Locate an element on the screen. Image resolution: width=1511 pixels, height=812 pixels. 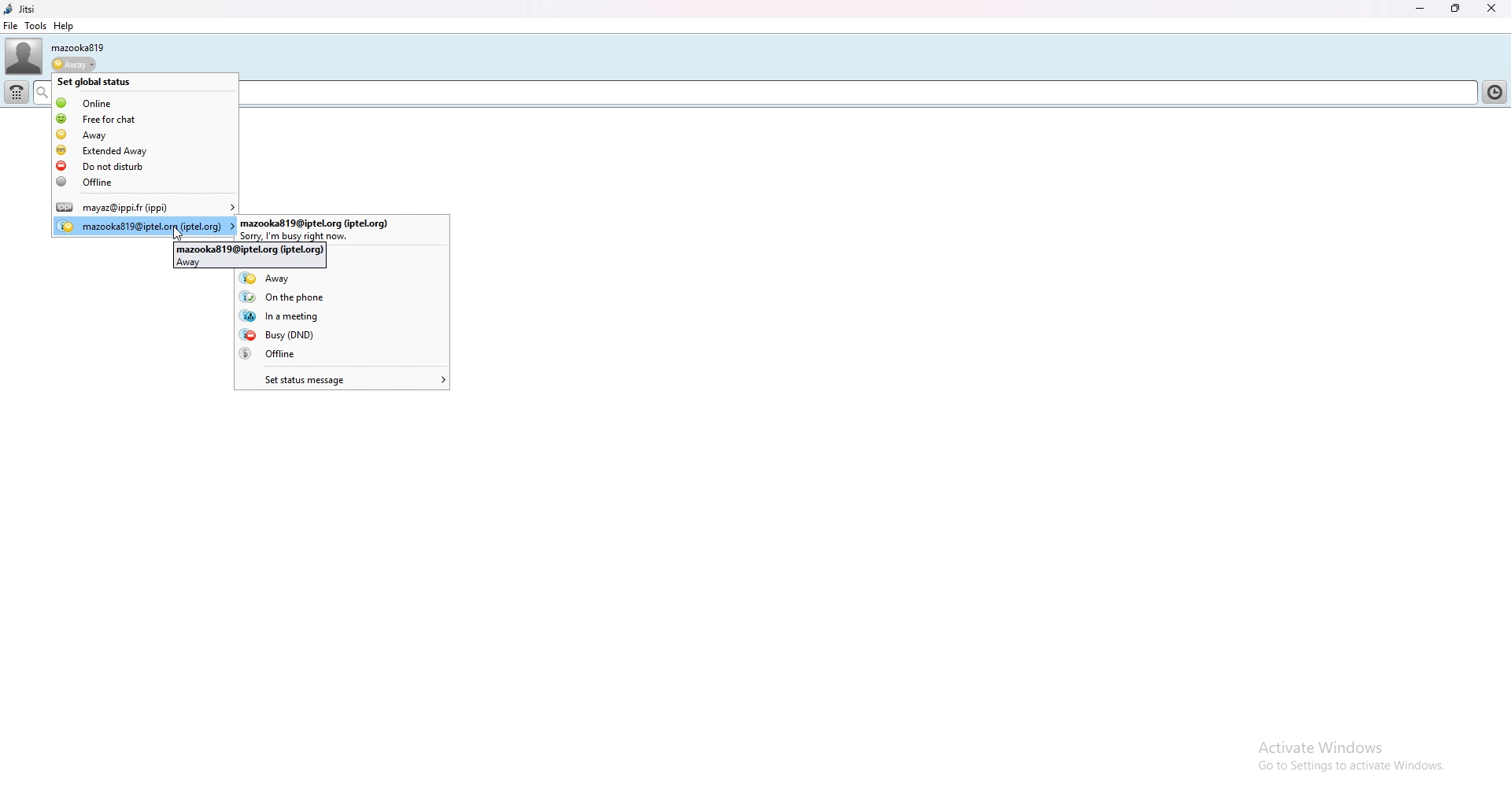
mazooka819@iptel.org(iptel.org)away is located at coordinates (251, 255).